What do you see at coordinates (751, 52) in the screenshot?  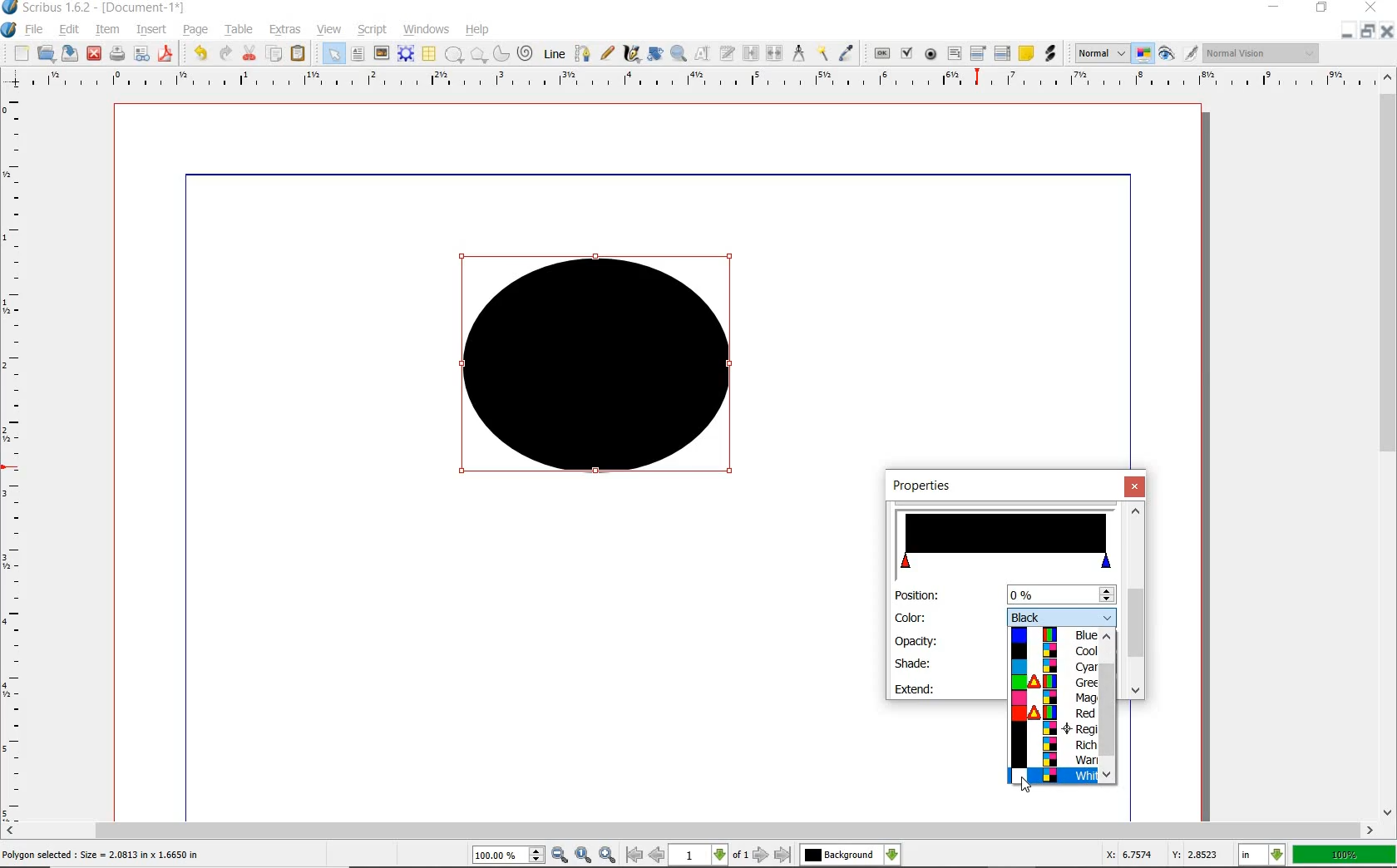 I see `LINK TEXT FRAME` at bounding box center [751, 52].